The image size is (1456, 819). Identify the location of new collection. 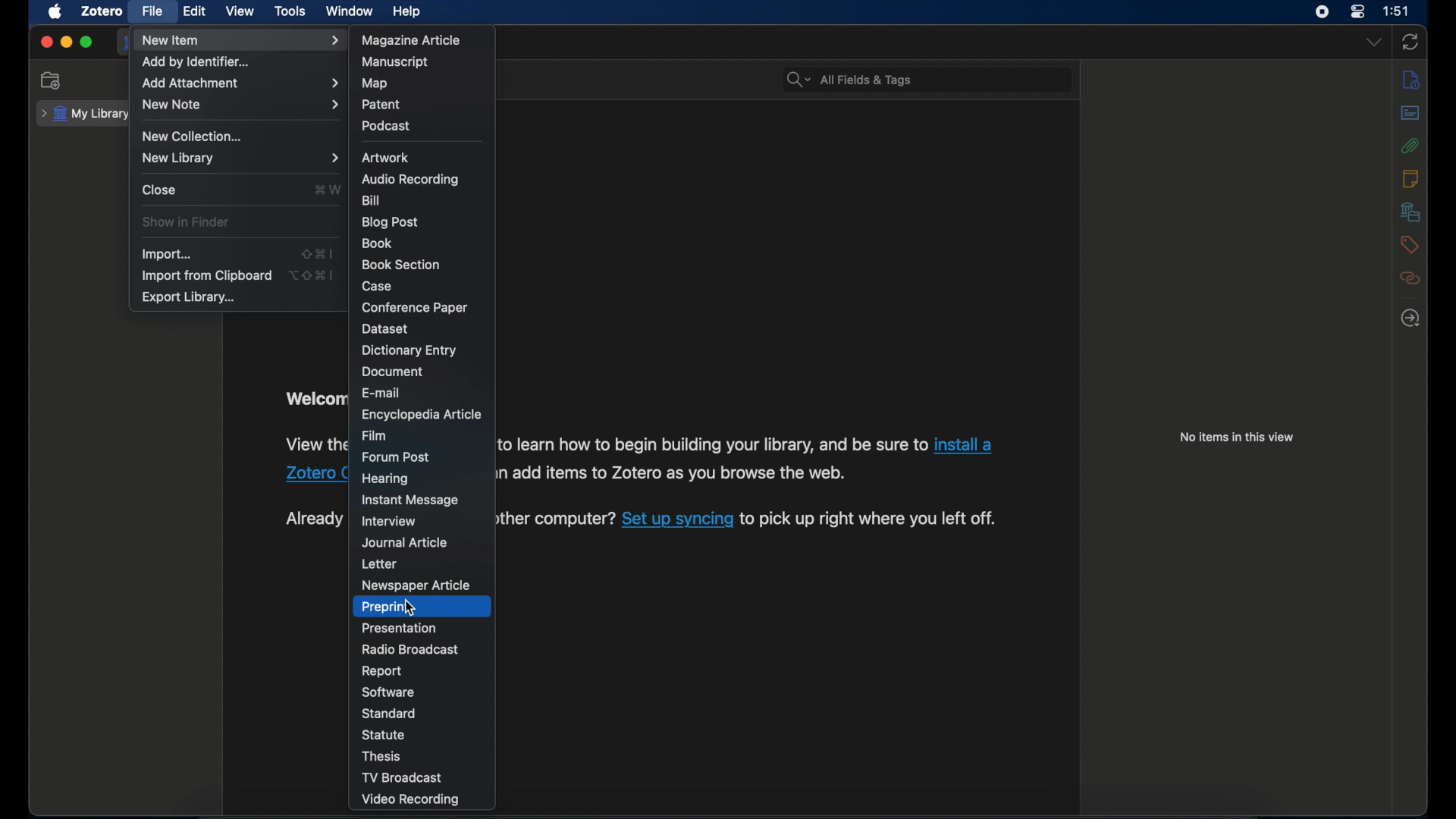
(195, 136).